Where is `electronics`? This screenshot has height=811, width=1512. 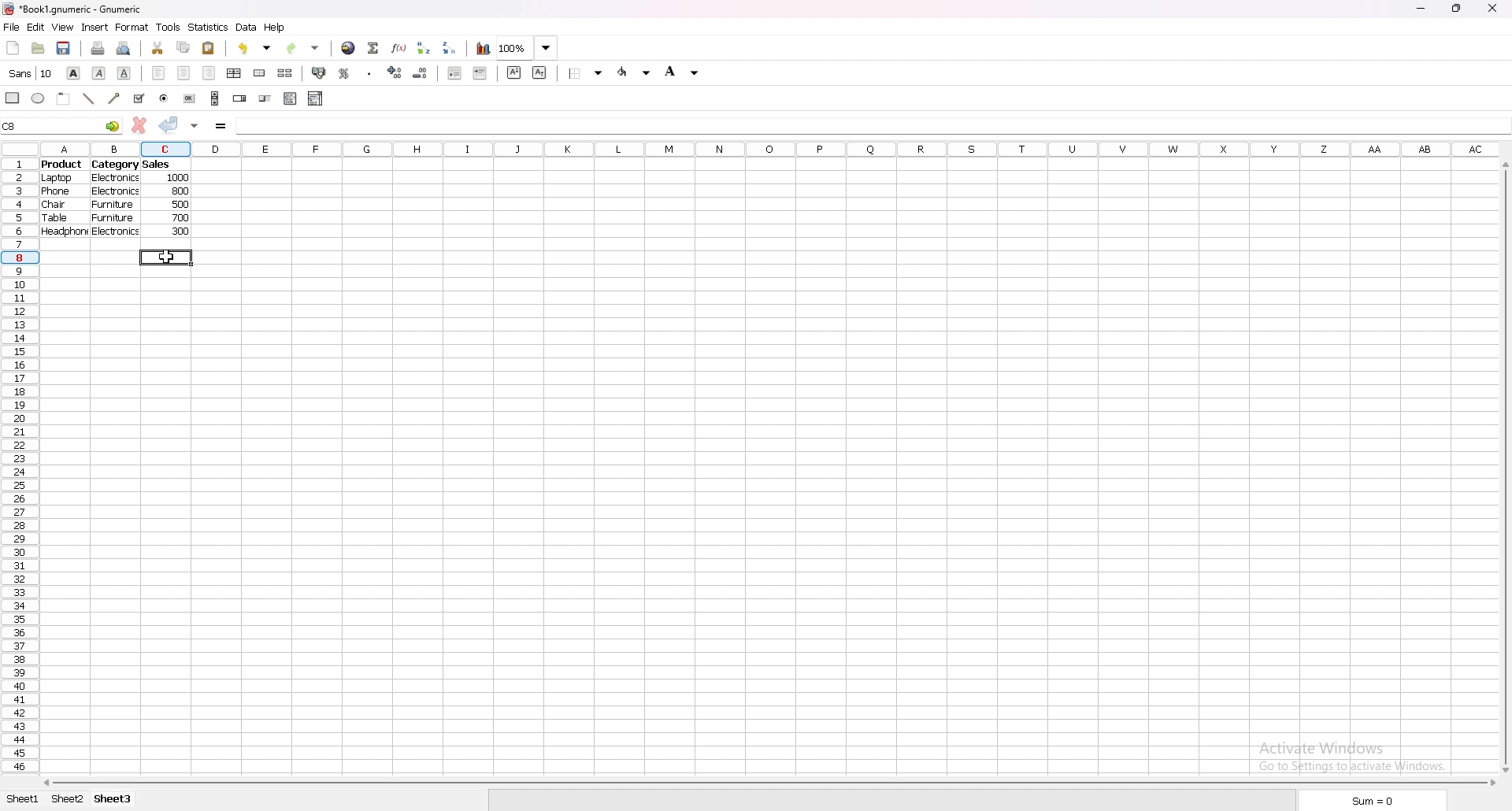
electronics is located at coordinates (116, 177).